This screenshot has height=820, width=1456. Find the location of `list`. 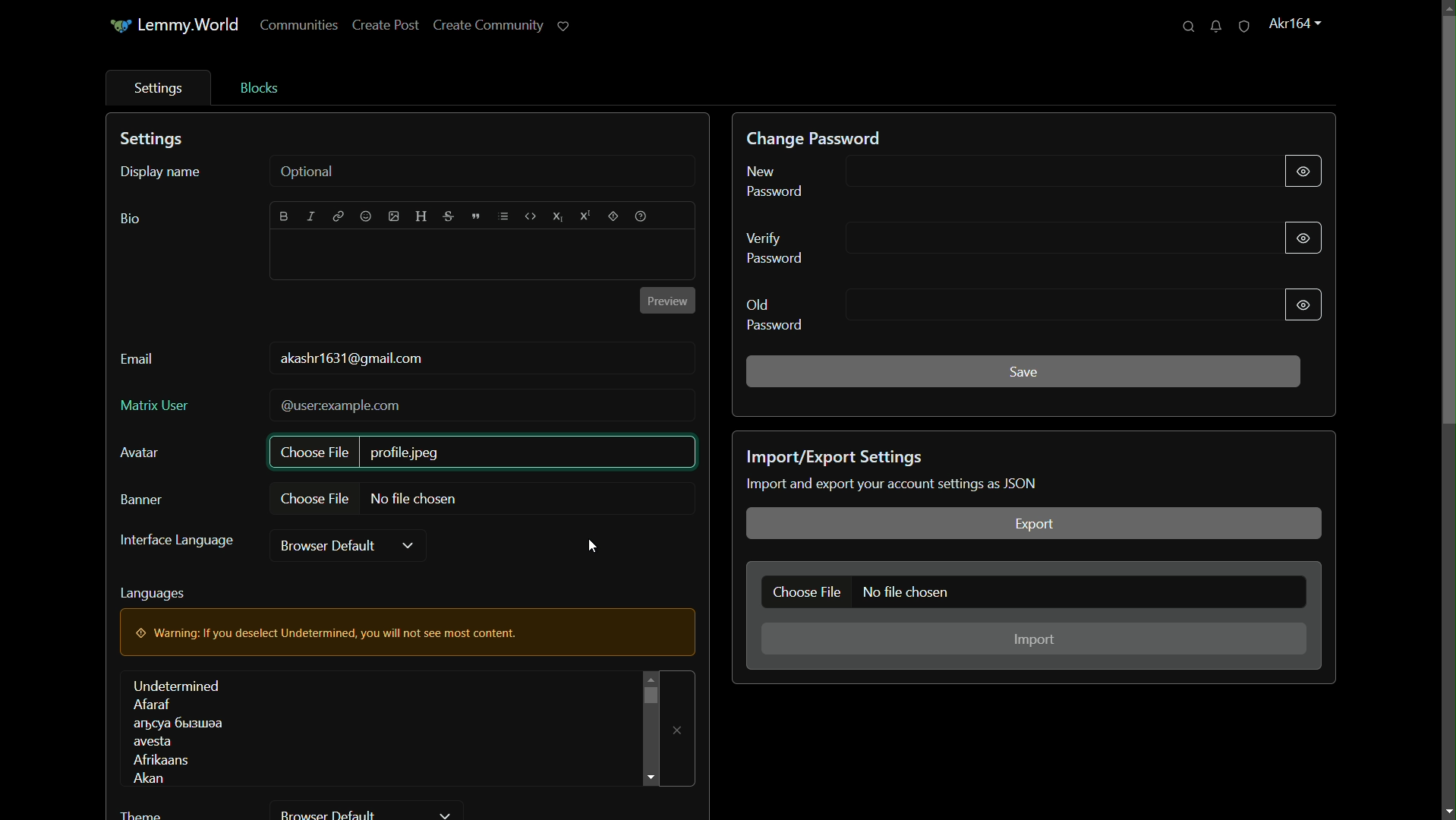

list is located at coordinates (503, 216).